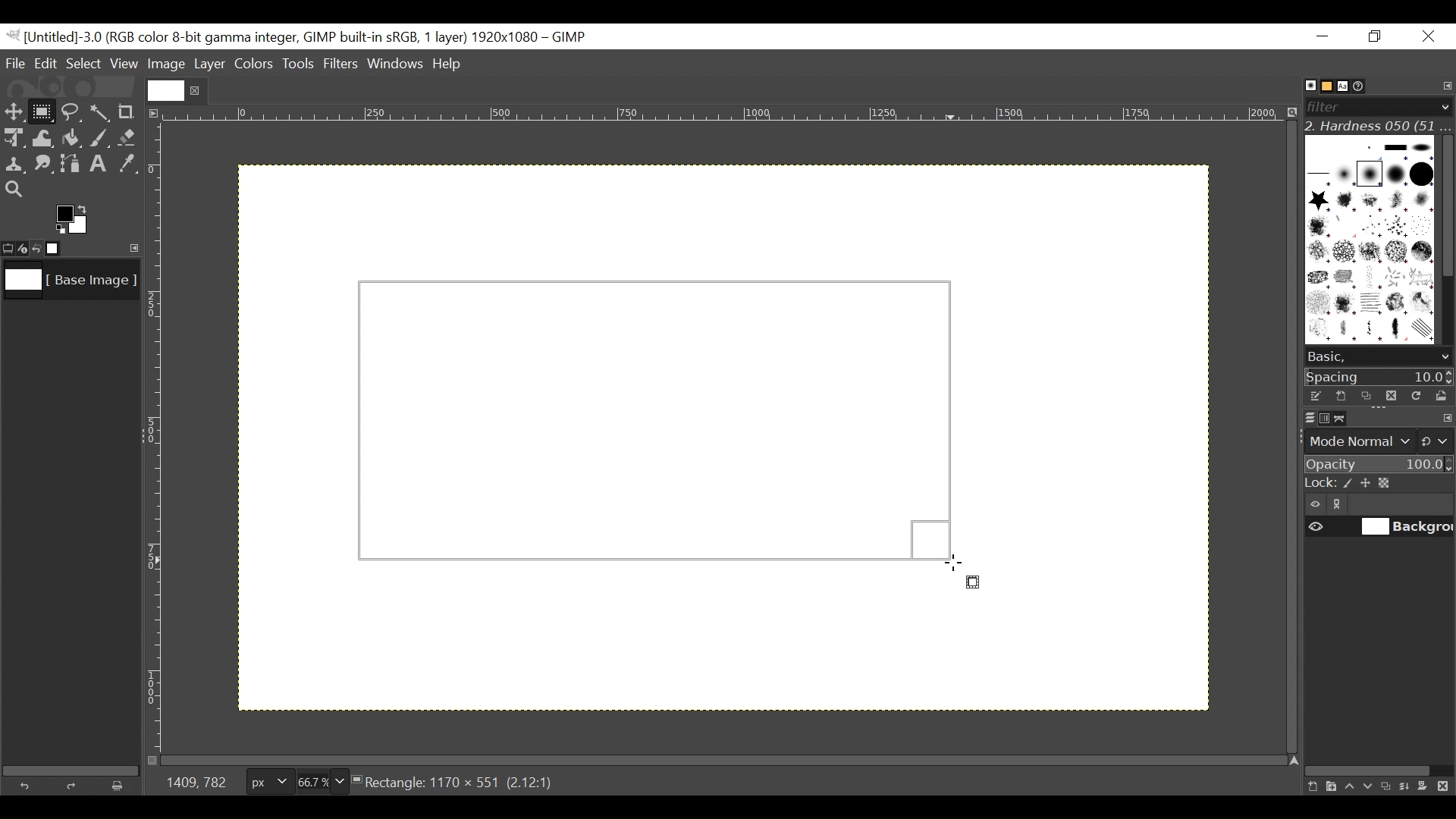 The image size is (1456, 819). I want to click on Images, so click(63, 249).